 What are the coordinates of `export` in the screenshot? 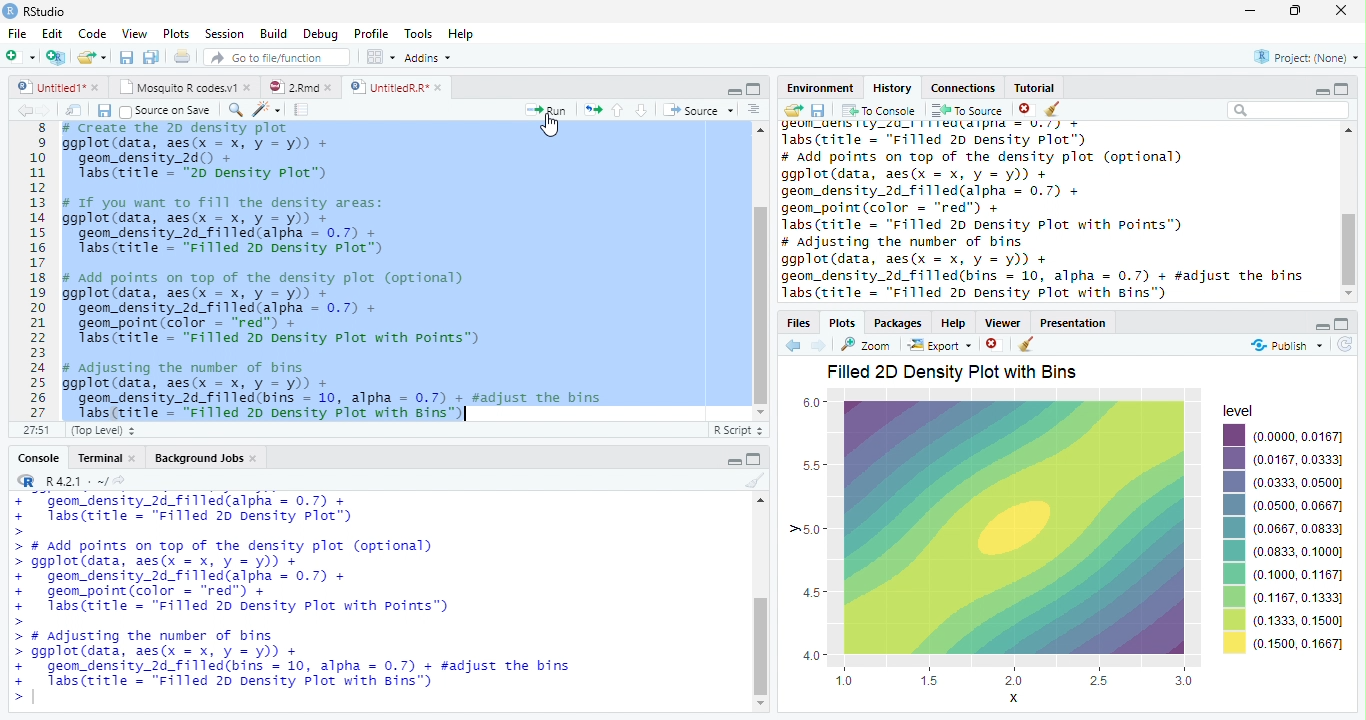 It's located at (939, 346).